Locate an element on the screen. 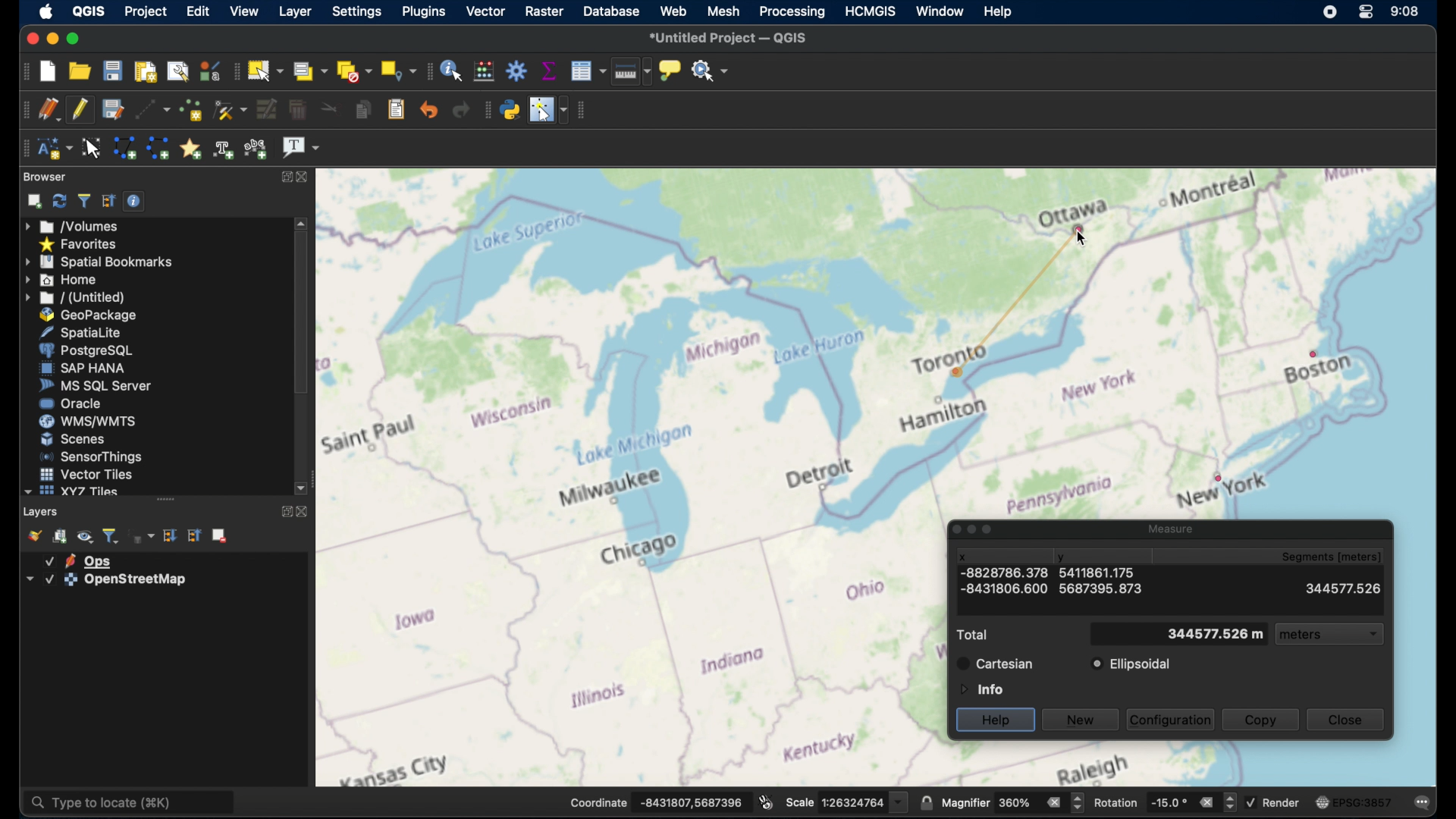  style manager is located at coordinates (210, 69).